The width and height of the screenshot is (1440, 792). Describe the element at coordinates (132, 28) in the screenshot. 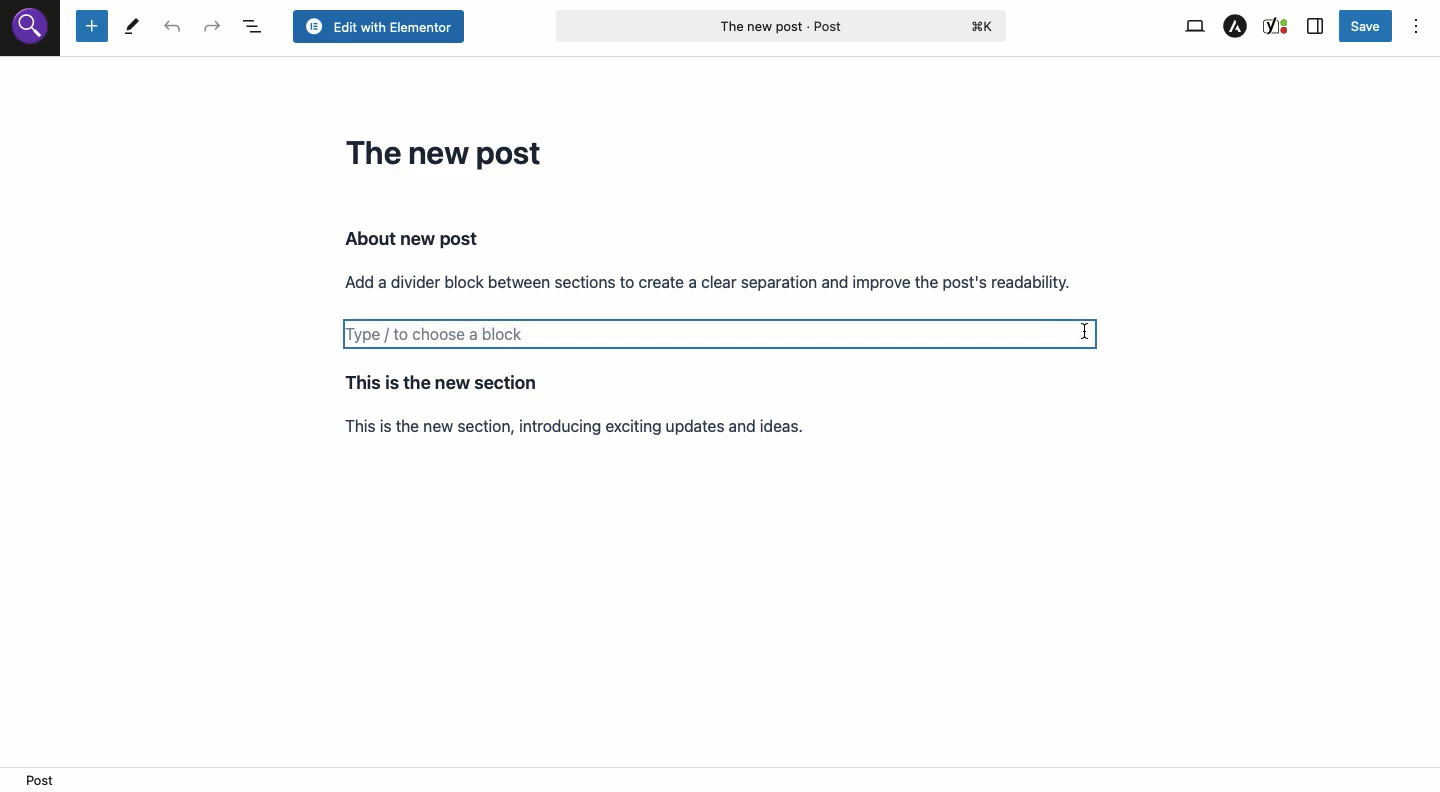

I see `Tools` at that location.